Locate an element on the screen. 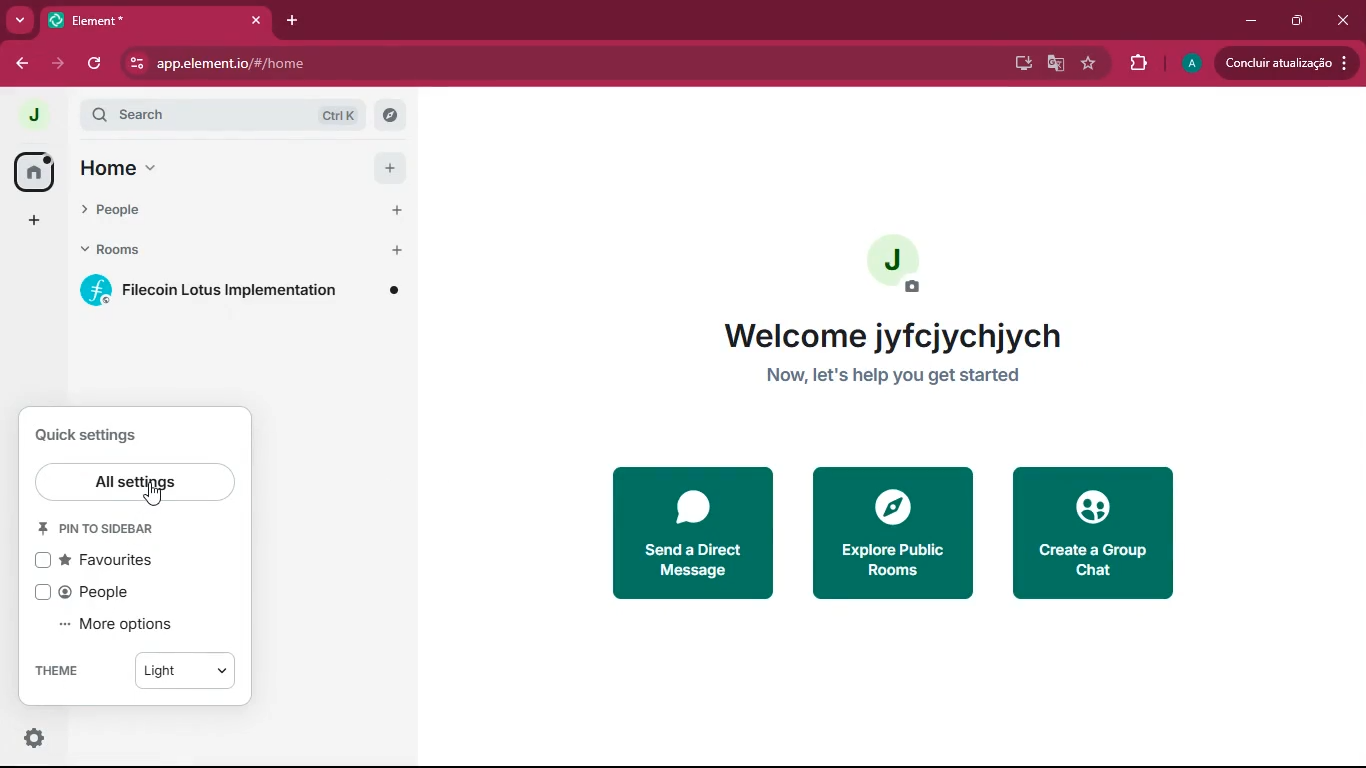  favourite is located at coordinates (1093, 63).